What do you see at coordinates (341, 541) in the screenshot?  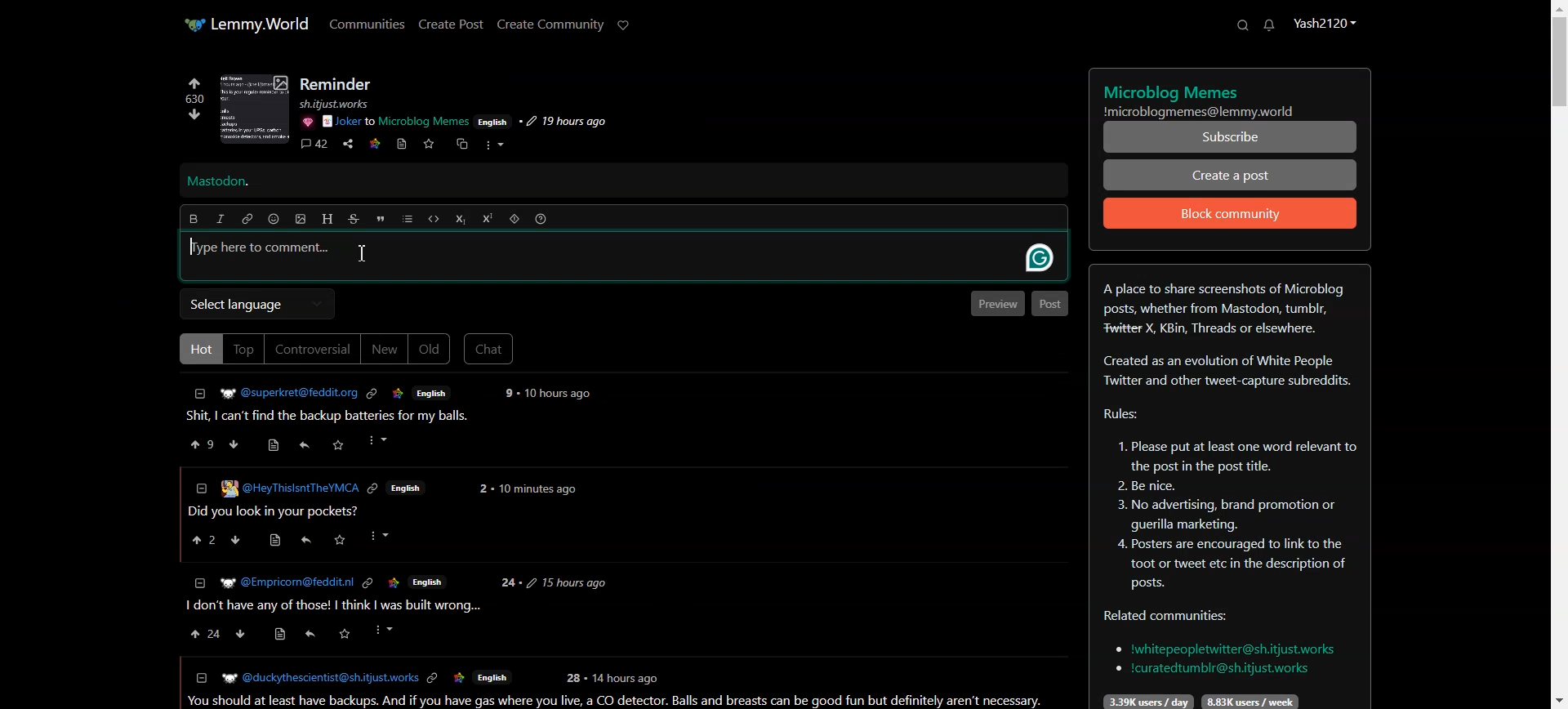 I see `` at bounding box center [341, 541].